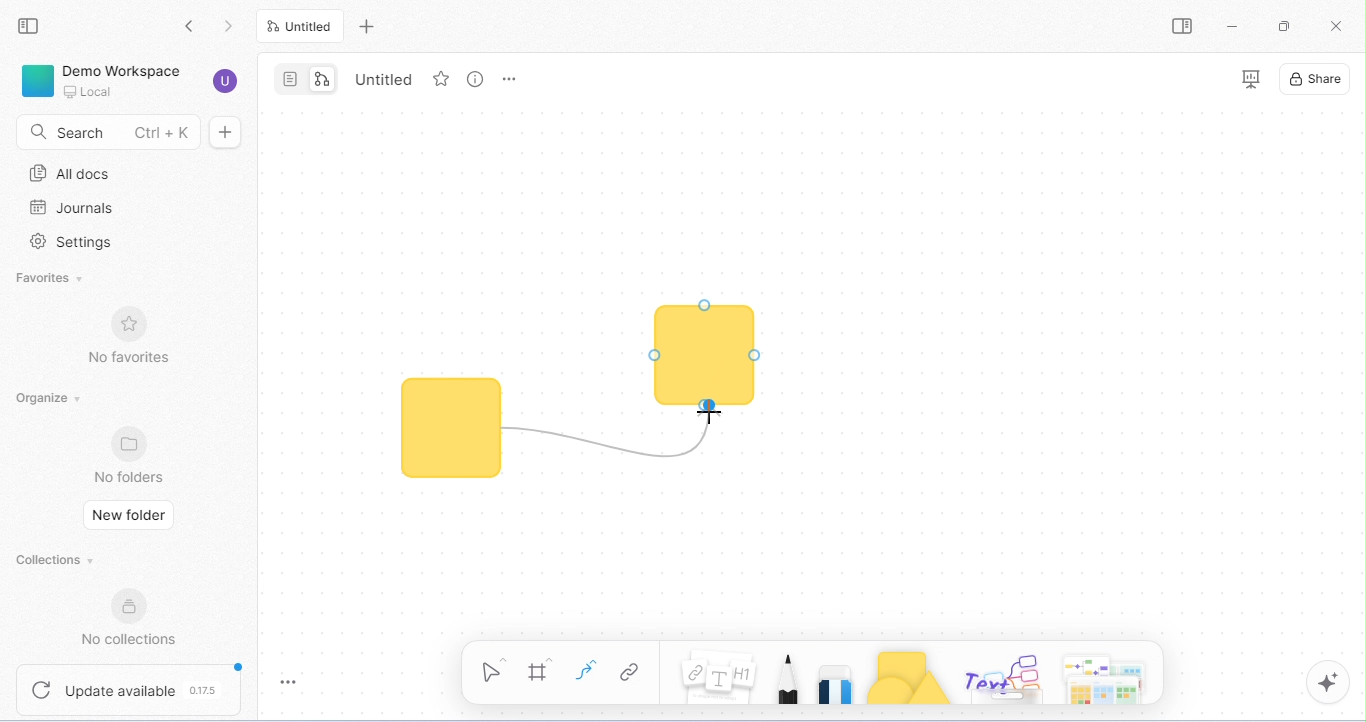 The width and height of the screenshot is (1366, 722). Describe the element at coordinates (131, 688) in the screenshot. I see `update available` at that location.